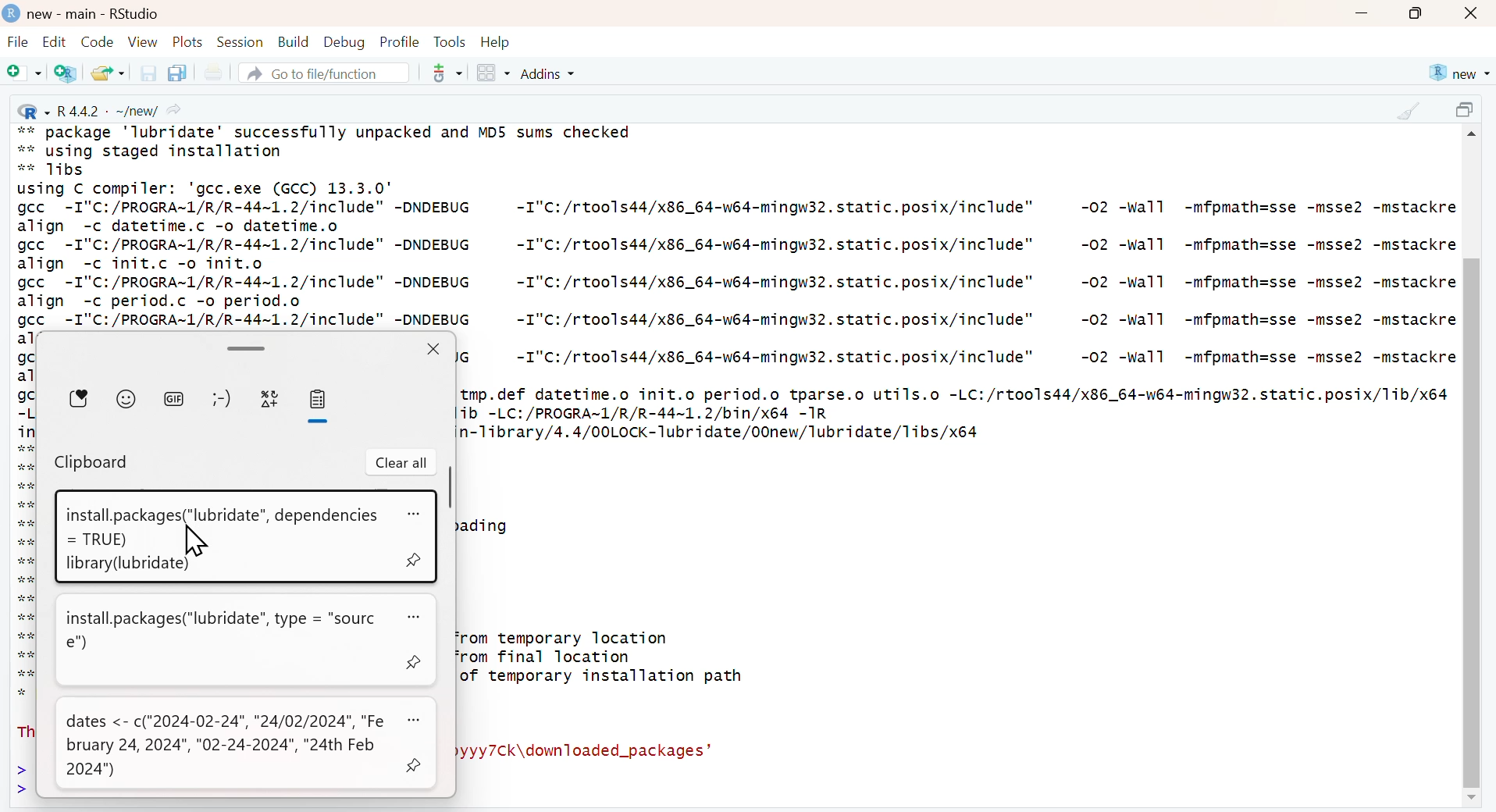  What do you see at coordinates (80, 398) in the screenshot?
I see `favorite` at bounding box center [80, 398].